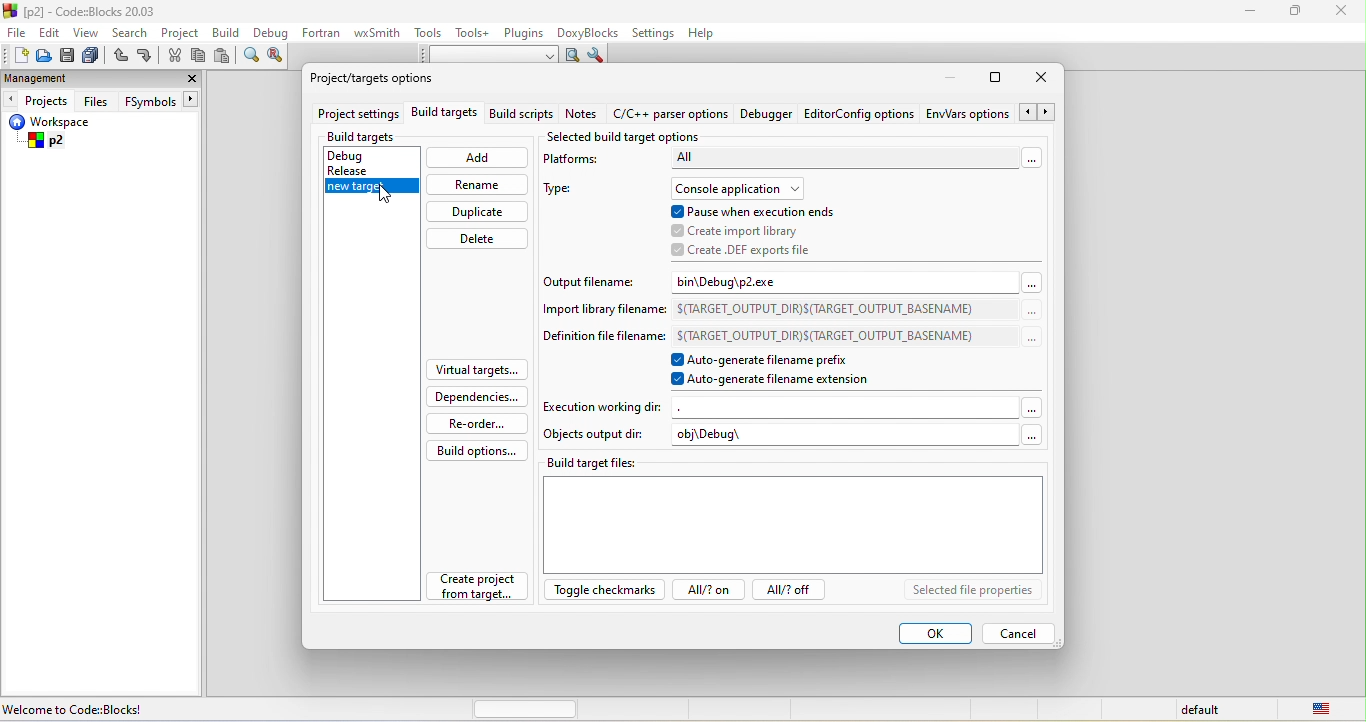 The height and width of the screenshot is (722, 1366). Describe the element at coordinates (130, 31) in the screenshot. I see `search` at that location.